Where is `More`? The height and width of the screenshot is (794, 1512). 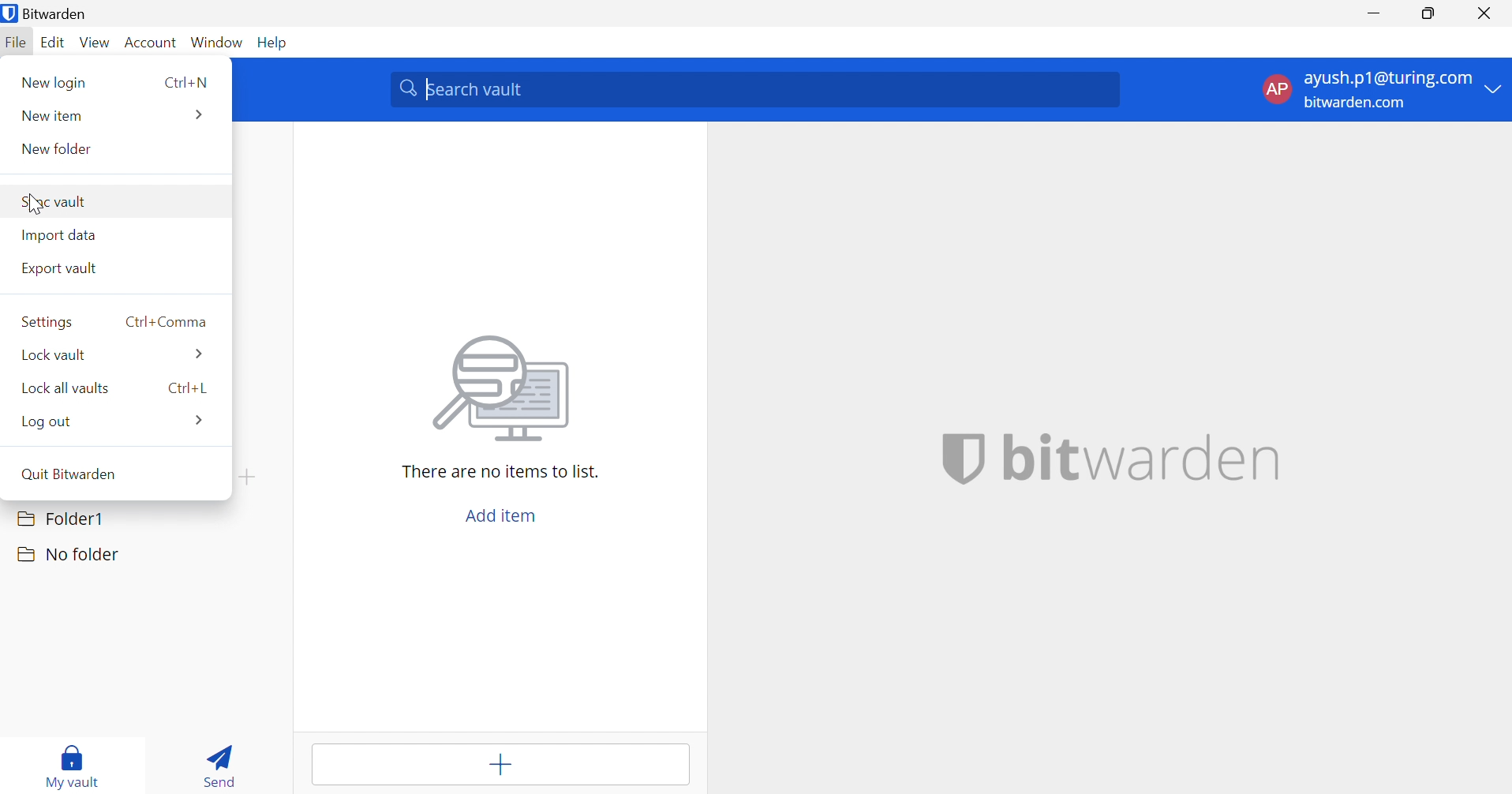 More is located at coordinates (198, 114).